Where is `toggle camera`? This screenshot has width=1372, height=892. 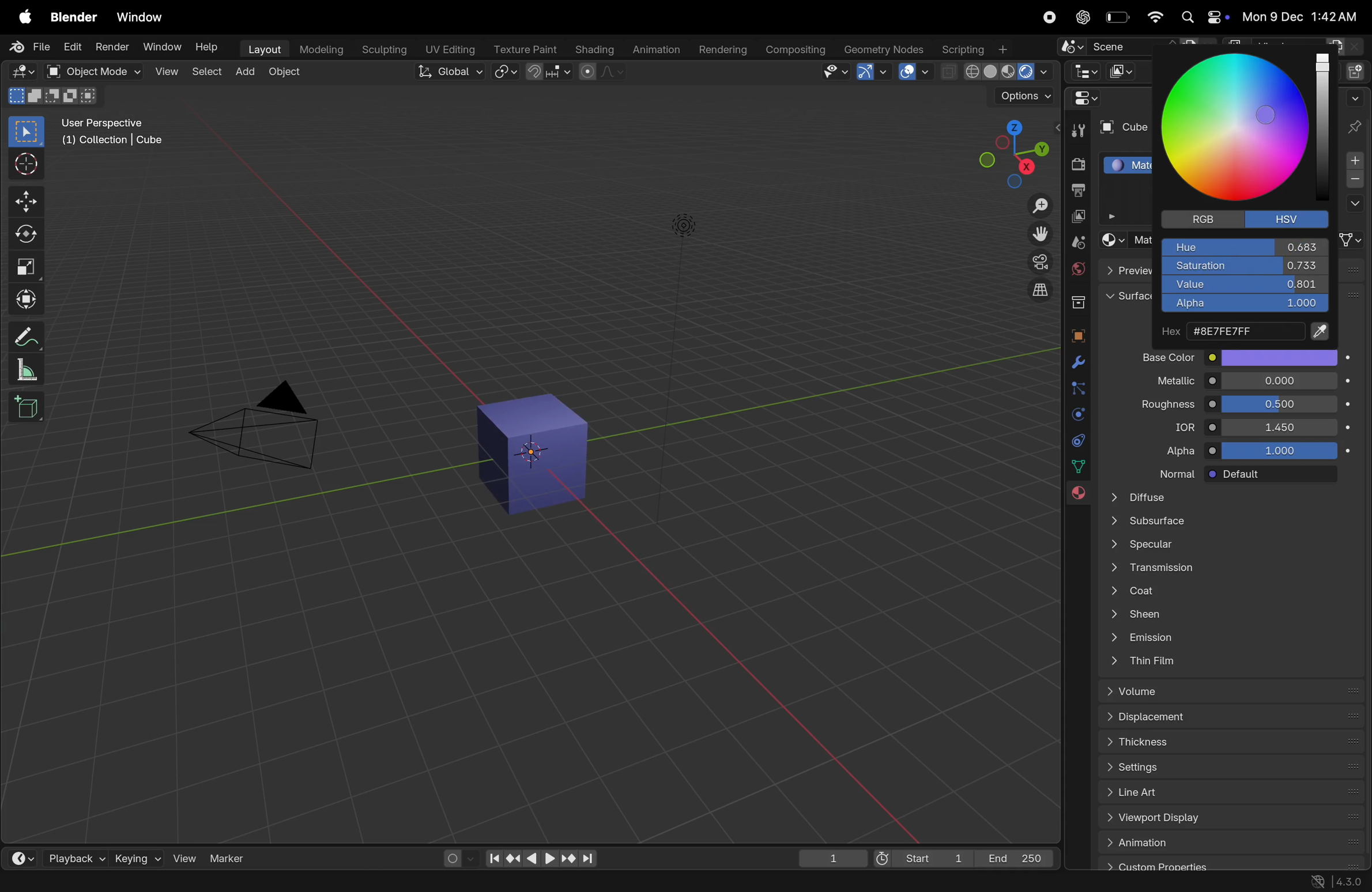 toggle camera is located at coordinates (1038, 262).